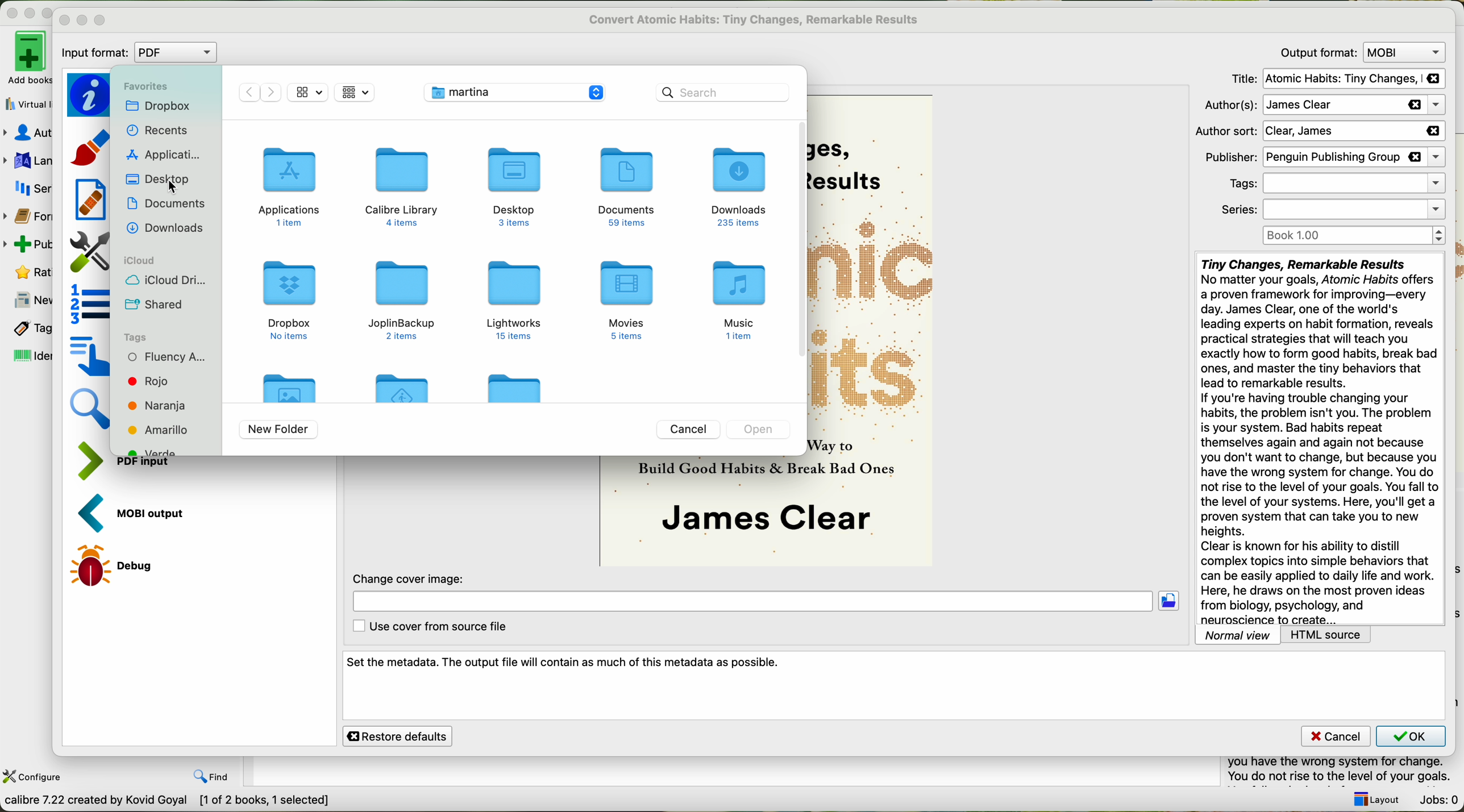  Describe the element at coordinates (92, 146) in the screenshot. I see `look and feel` at that location.